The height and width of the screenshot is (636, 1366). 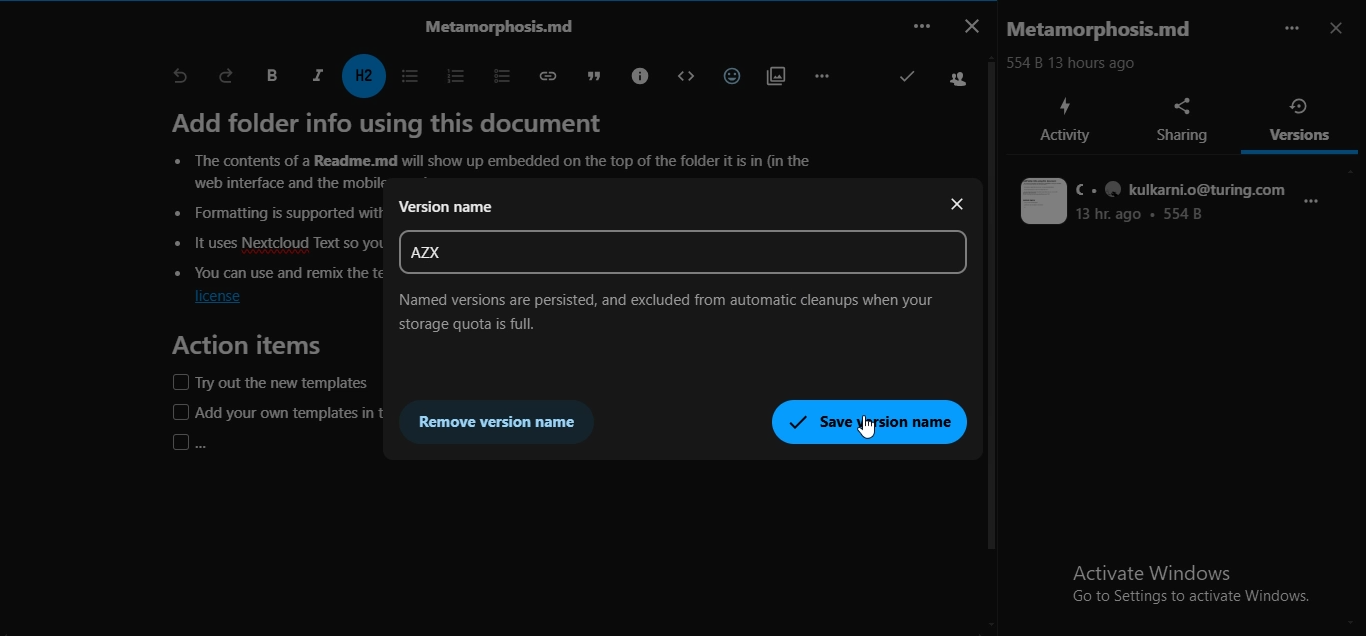 I want to click on block, so click(x=681, y=76).